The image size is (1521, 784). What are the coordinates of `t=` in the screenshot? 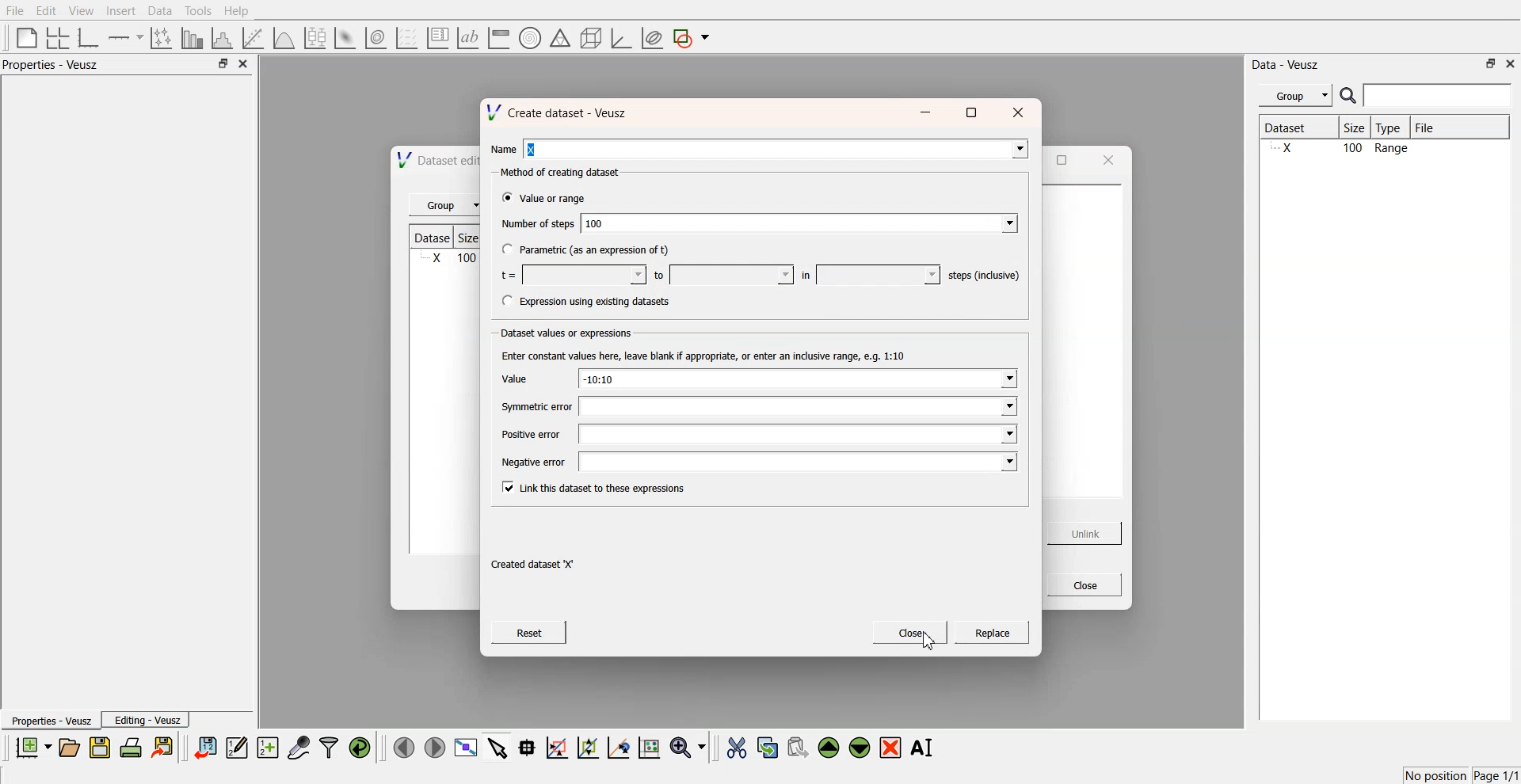 It's located at (508, 275).